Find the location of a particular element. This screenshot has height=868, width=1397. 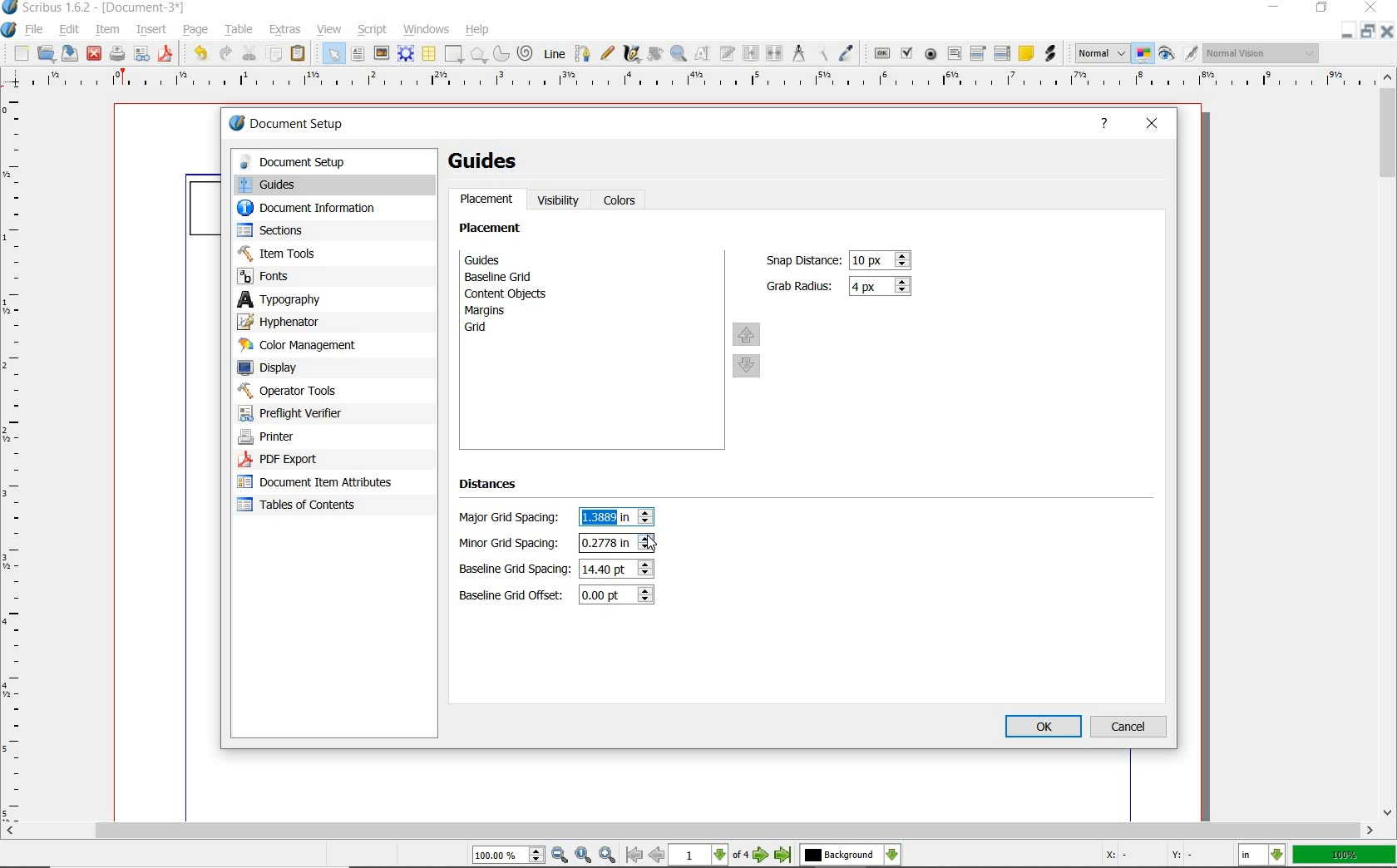

close is located at coordinates (1389, 31).